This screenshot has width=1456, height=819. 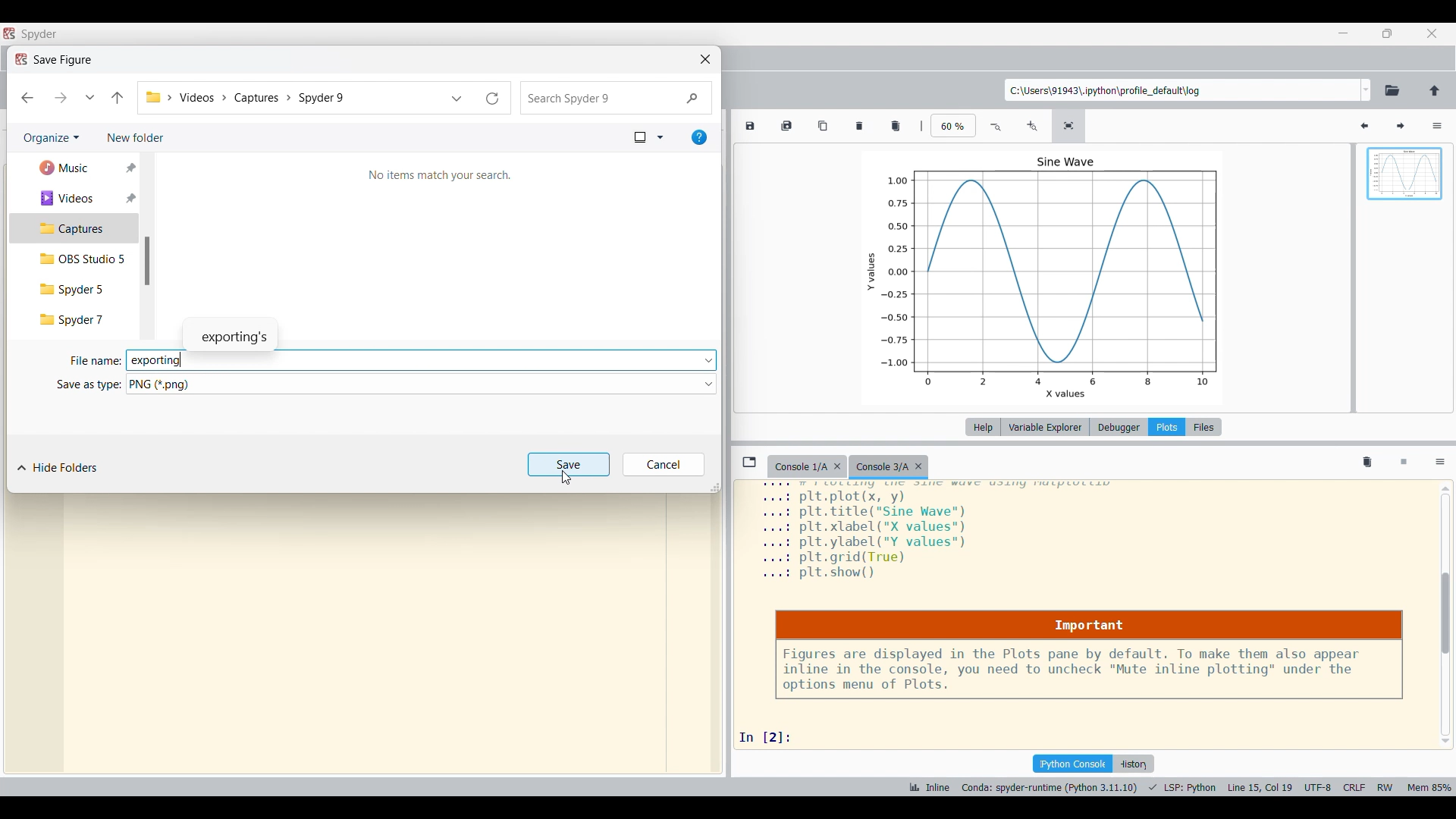 What do you see at coordinates (617, 98) in the screenshot?
I see `Search` at bounding box center [617, 98].